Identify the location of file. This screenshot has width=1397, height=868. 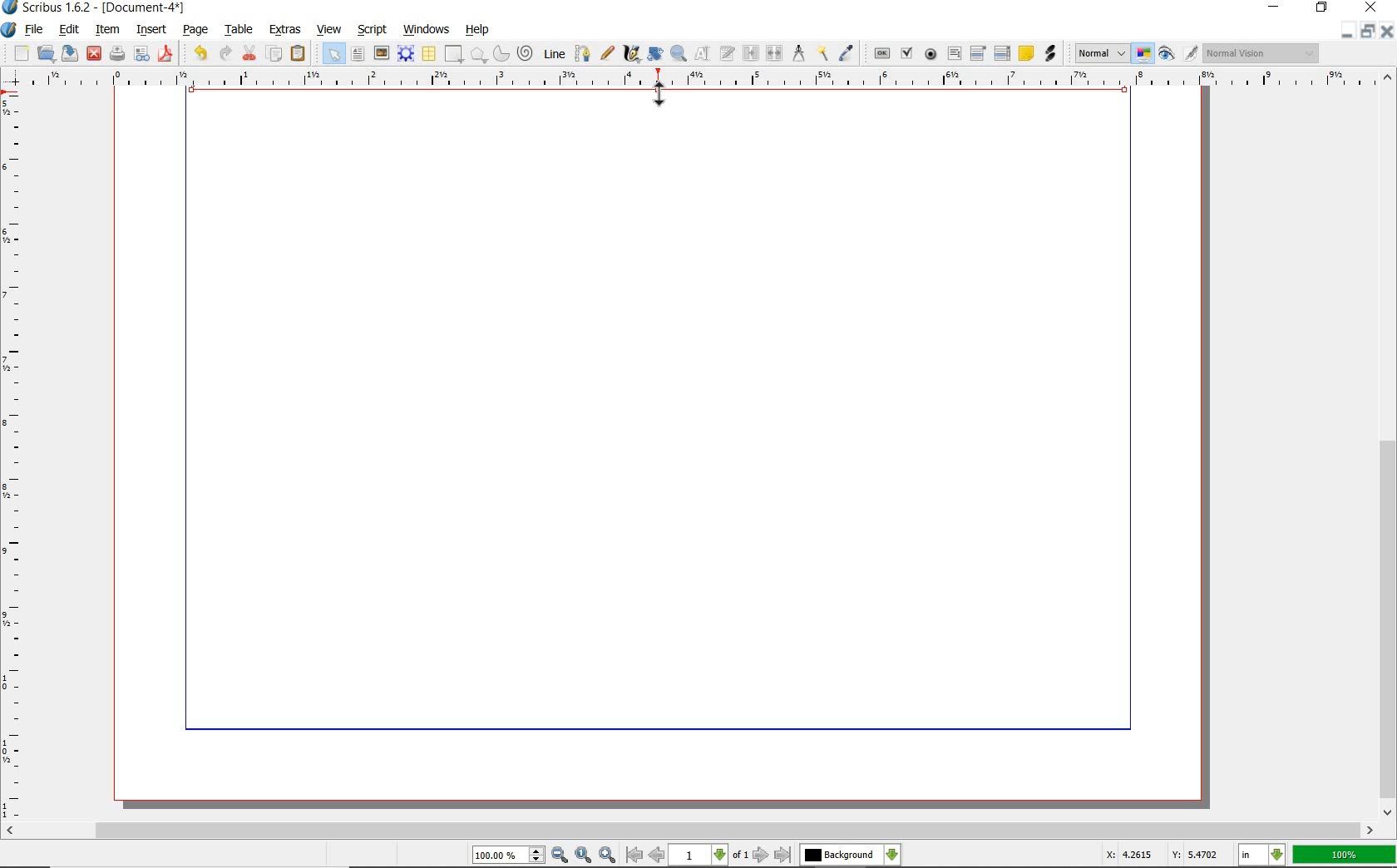
(36, 31).